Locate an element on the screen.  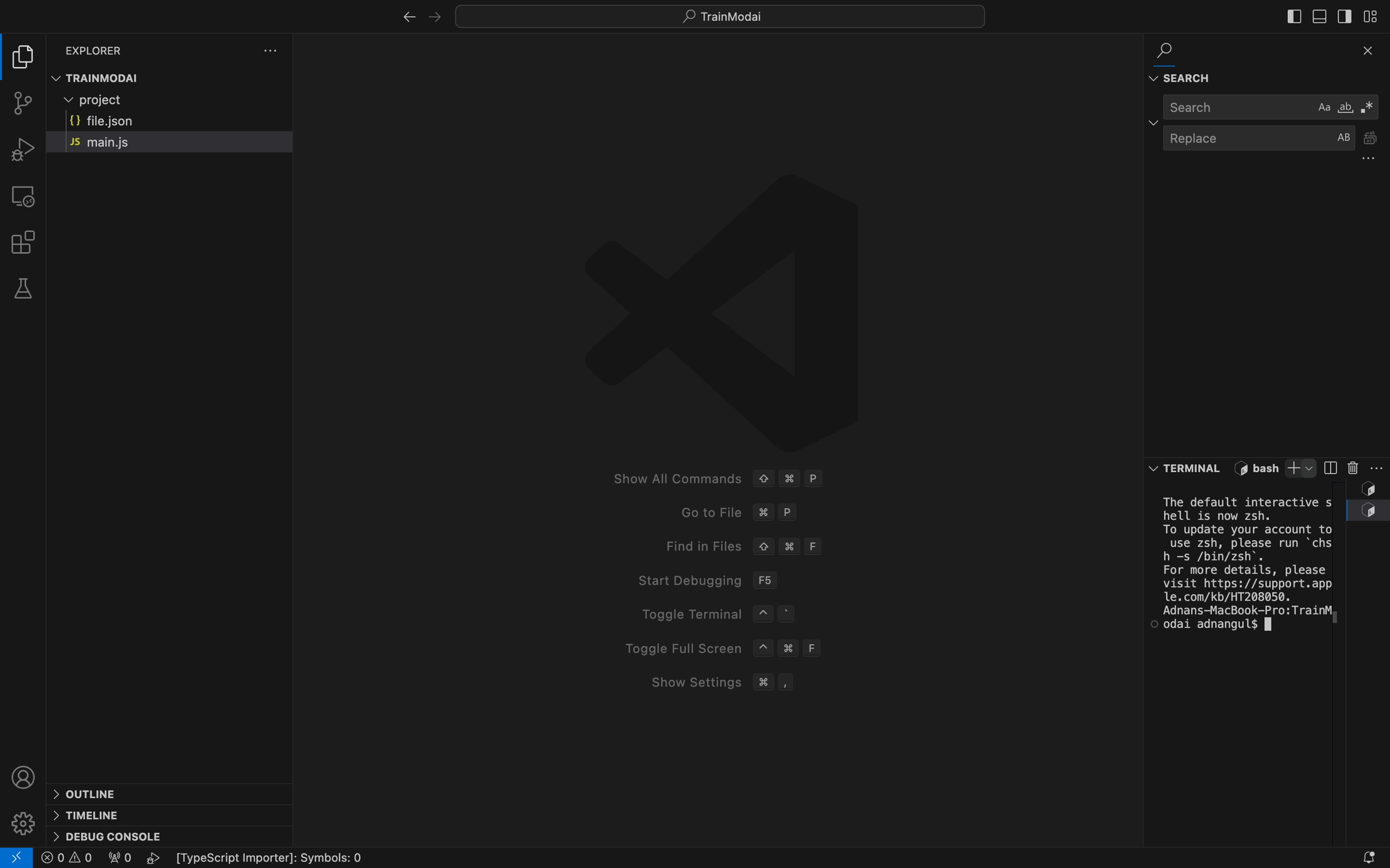
sidebar on right is located at coordinates (1344, 17).